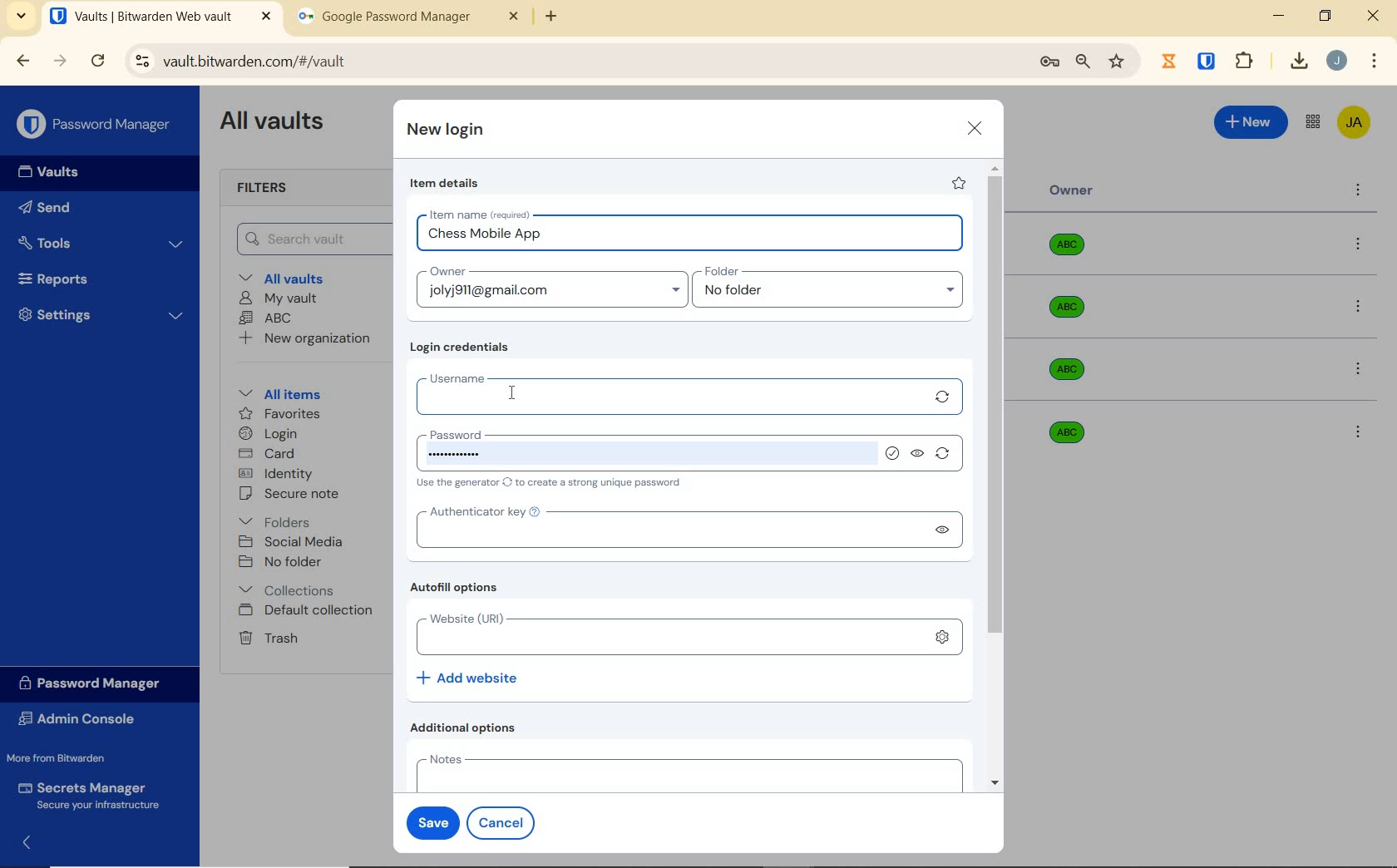 The height and width of the screenshot is (868, 1397). Describe the element at coordinates (101, 244) in the screenshot. I see `Tools` at that location.